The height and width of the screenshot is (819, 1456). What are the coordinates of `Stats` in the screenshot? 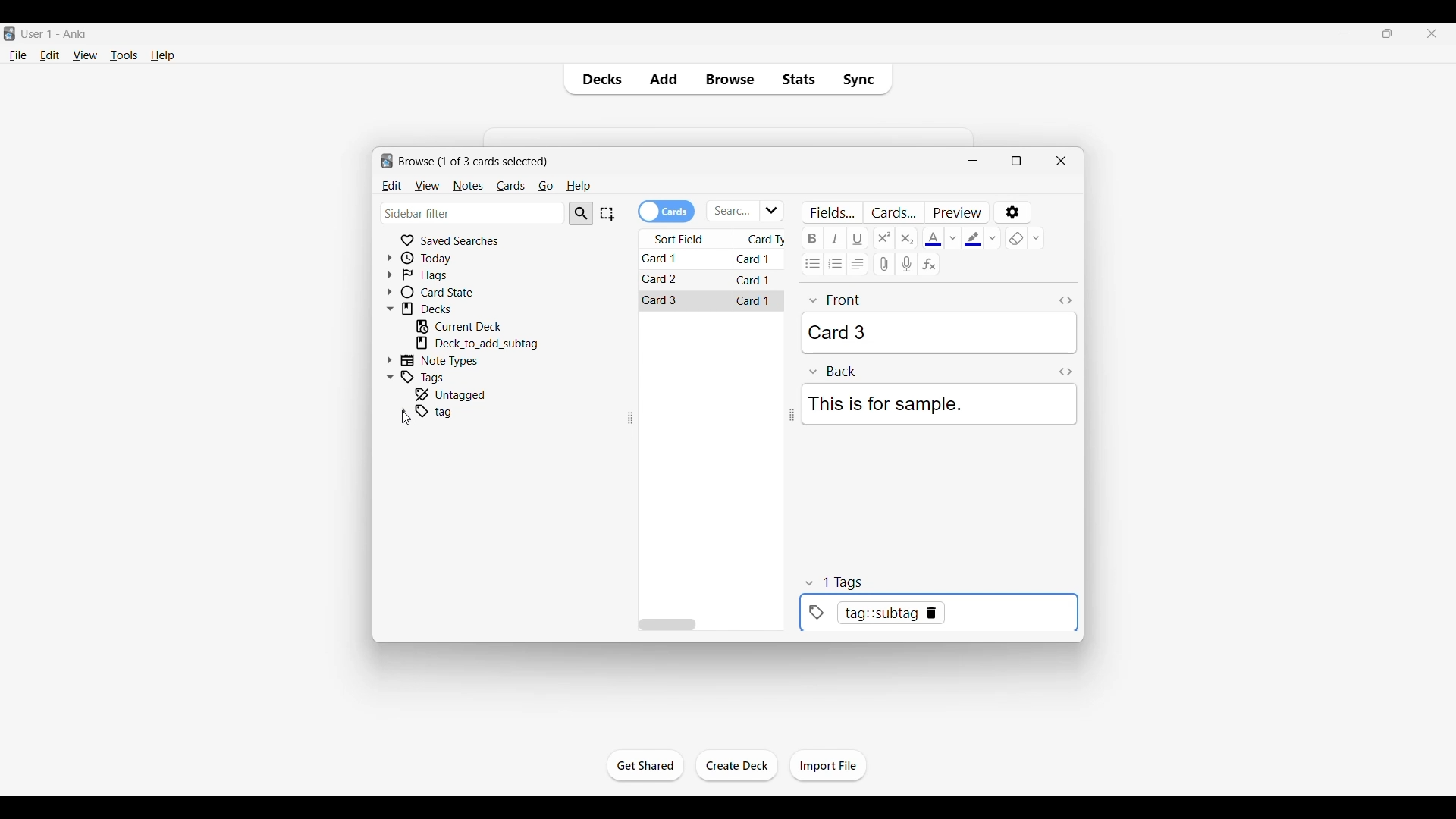 It's located at (797, 79).